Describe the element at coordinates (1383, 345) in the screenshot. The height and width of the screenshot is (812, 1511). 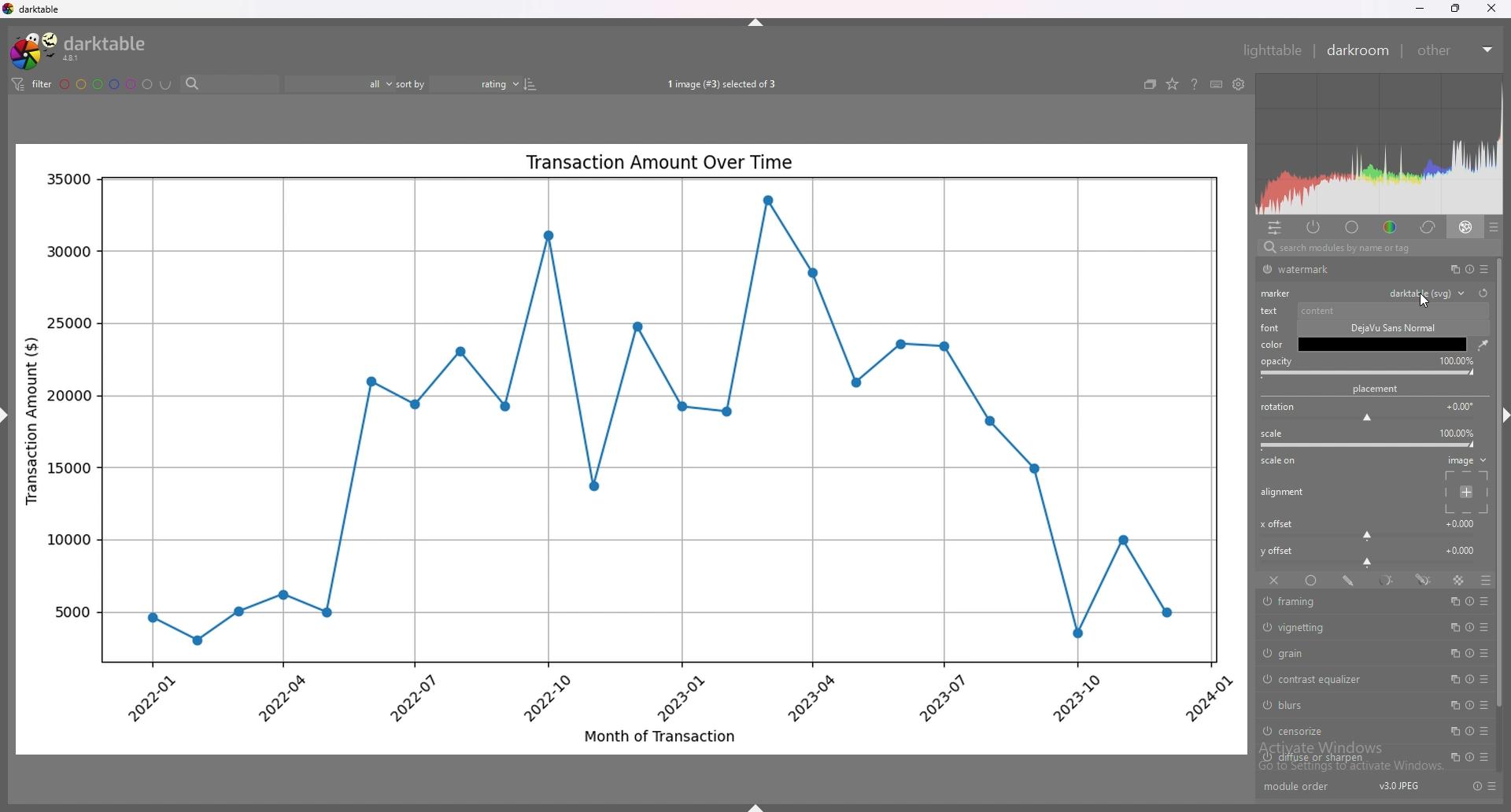
I see `color` at that location.